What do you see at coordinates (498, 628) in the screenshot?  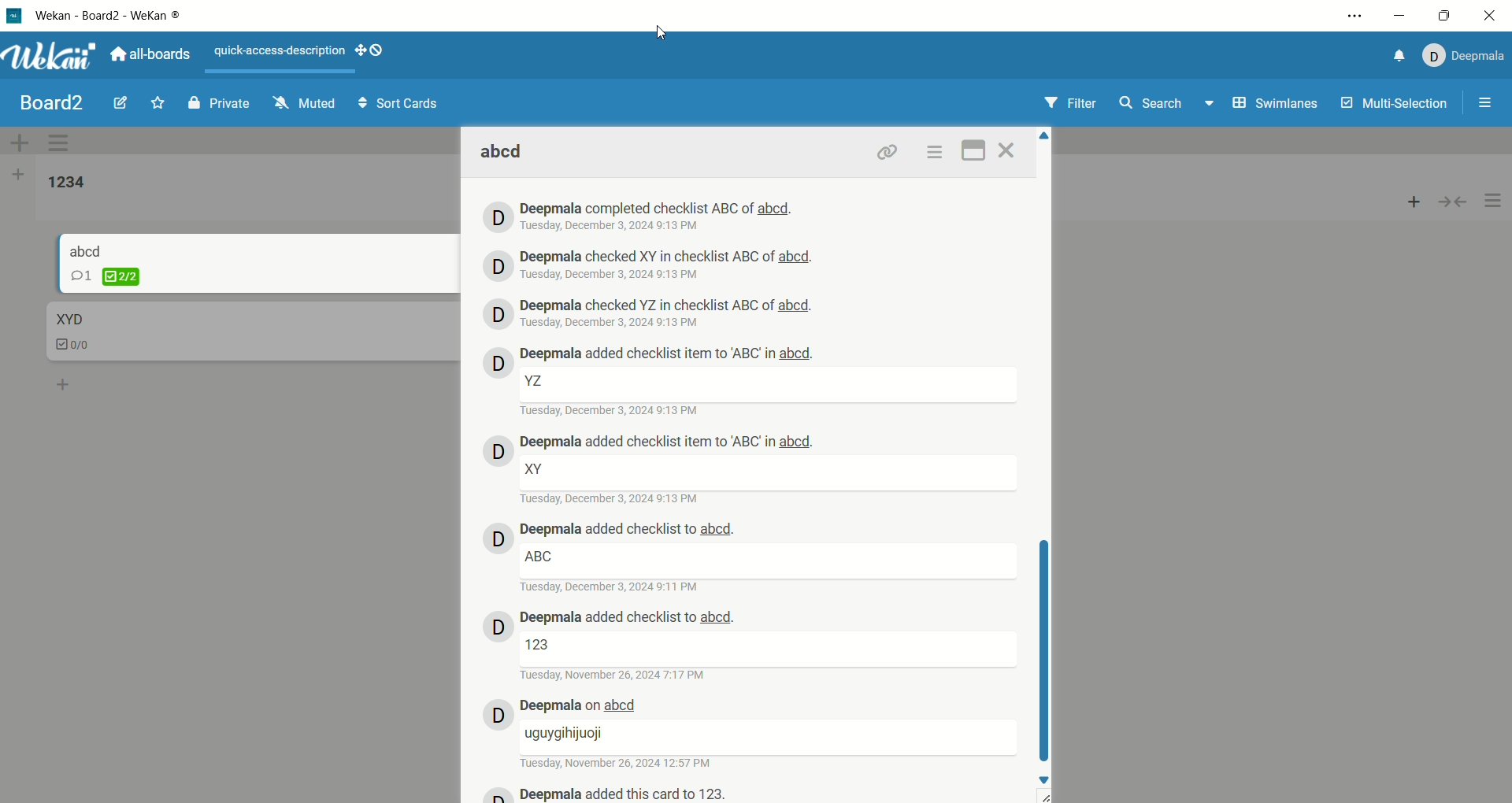 I see `avatar` at bounding box center [498, 628].